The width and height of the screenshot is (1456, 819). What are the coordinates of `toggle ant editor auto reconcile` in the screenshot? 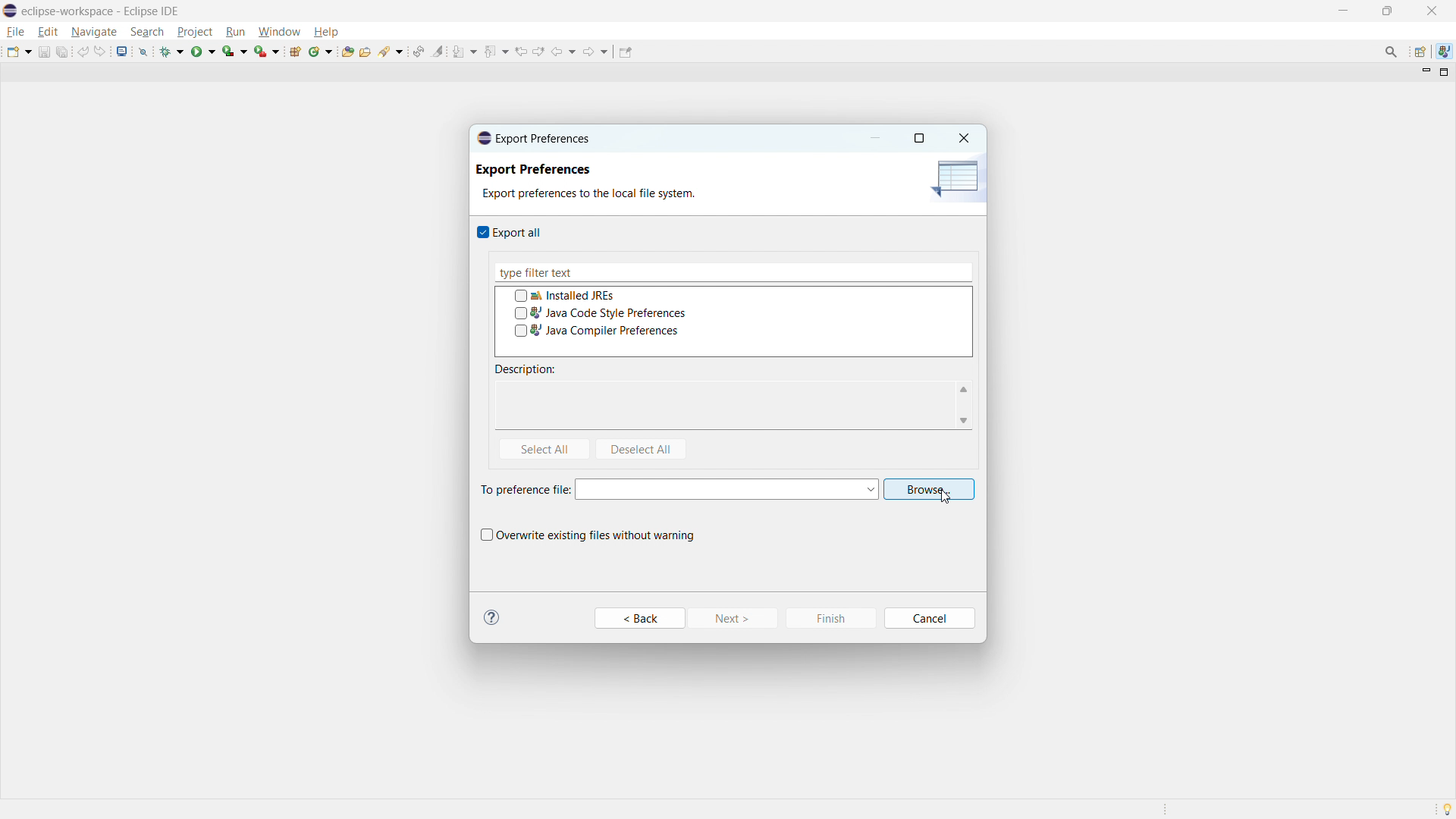 It's located at (418, 51).